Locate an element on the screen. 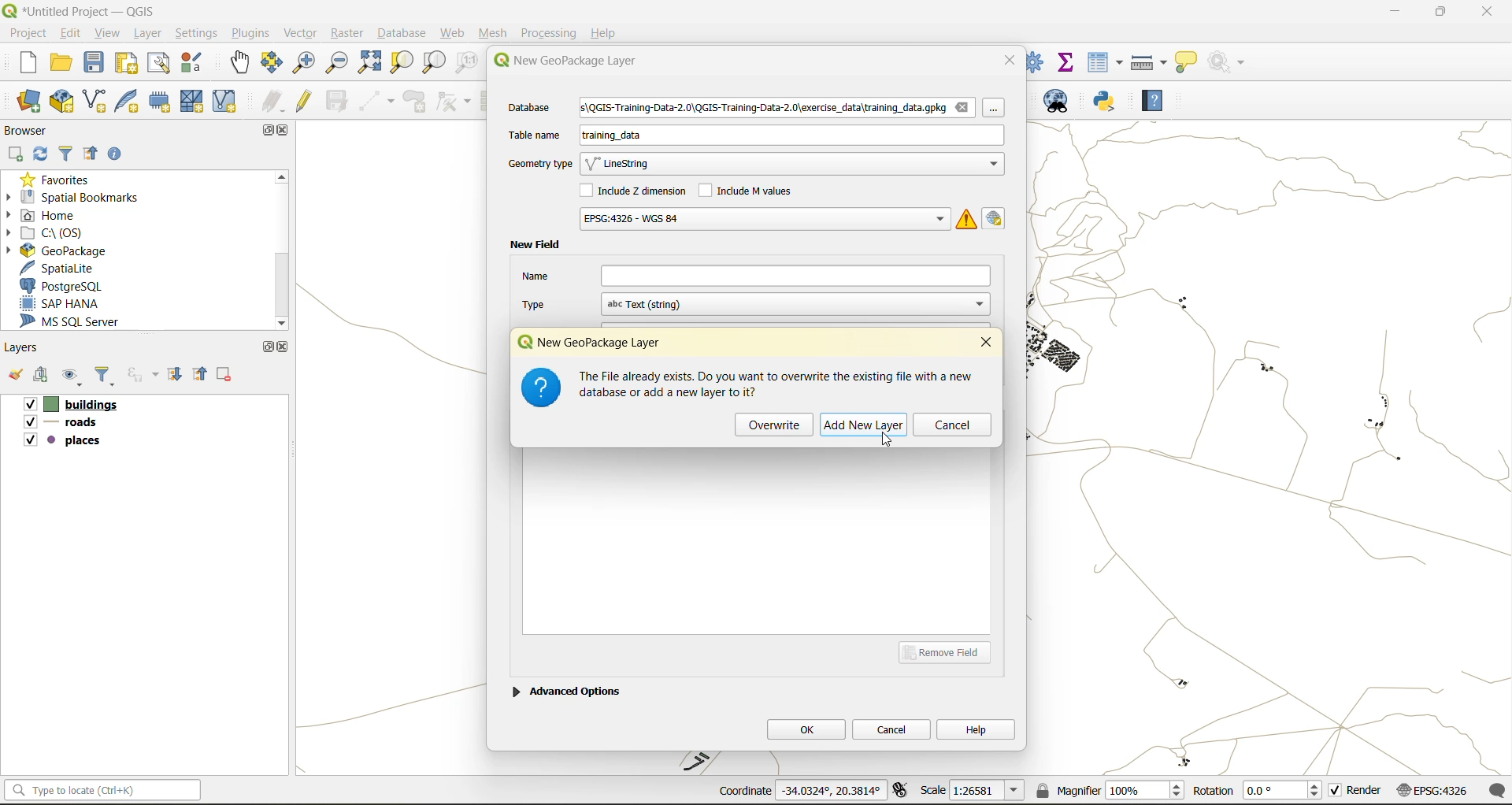 The width and height of the screenshot is (1512, 805). close is located at coordinates (1010, 59).